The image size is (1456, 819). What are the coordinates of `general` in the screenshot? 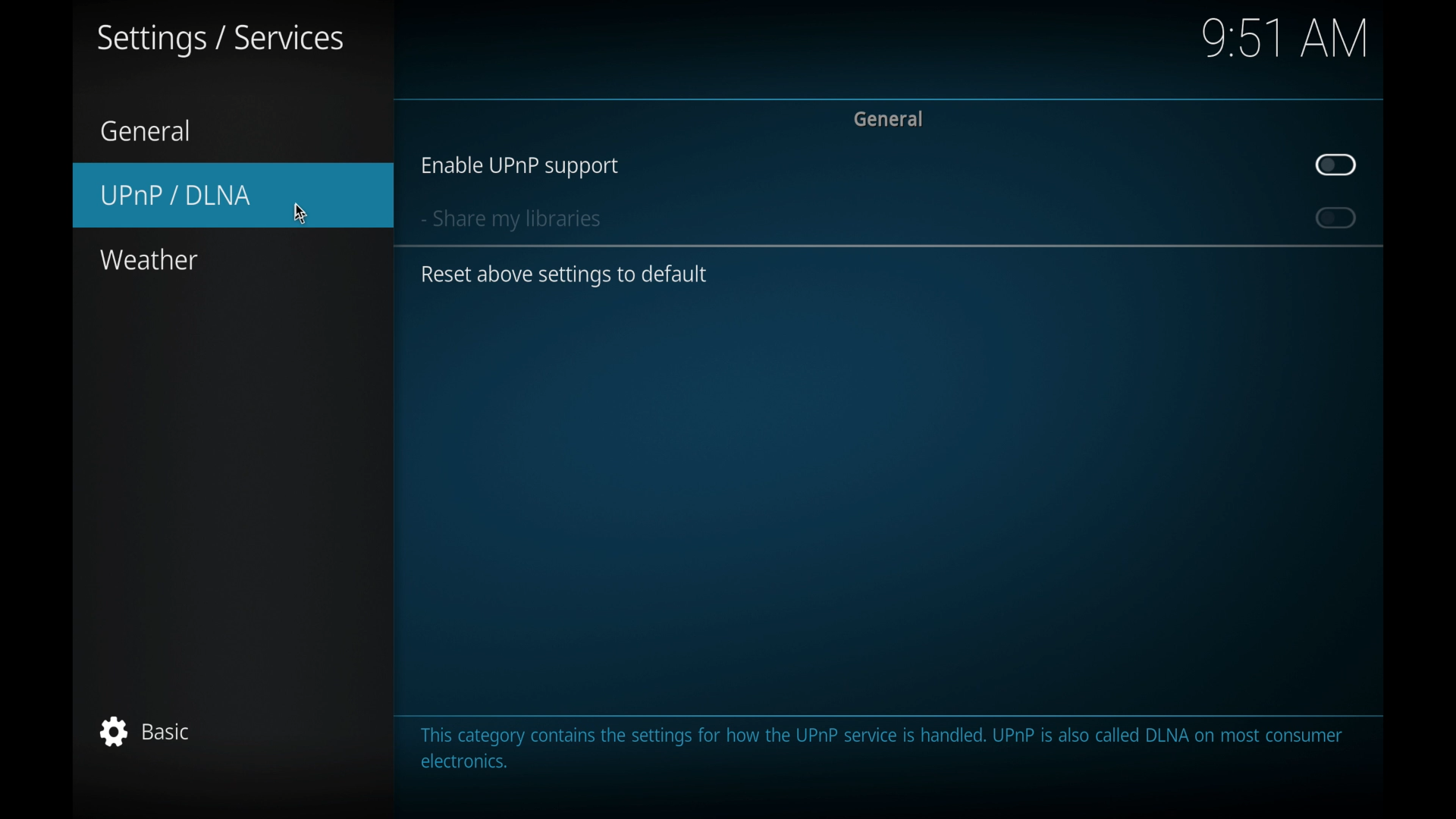 It's located at (889, 119).